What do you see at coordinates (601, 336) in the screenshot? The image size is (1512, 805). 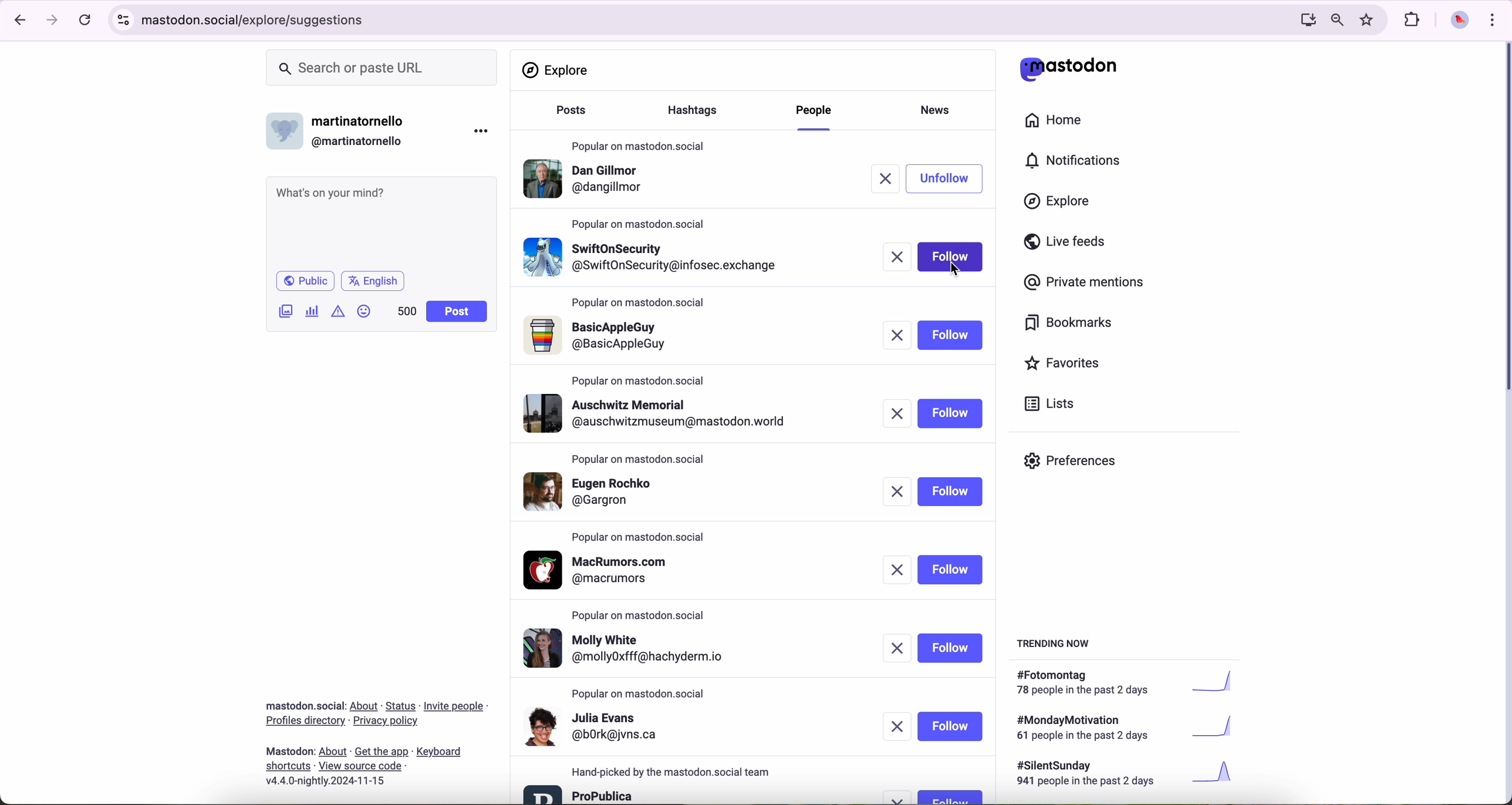 I see `profile` at bounding box center [601, 336].